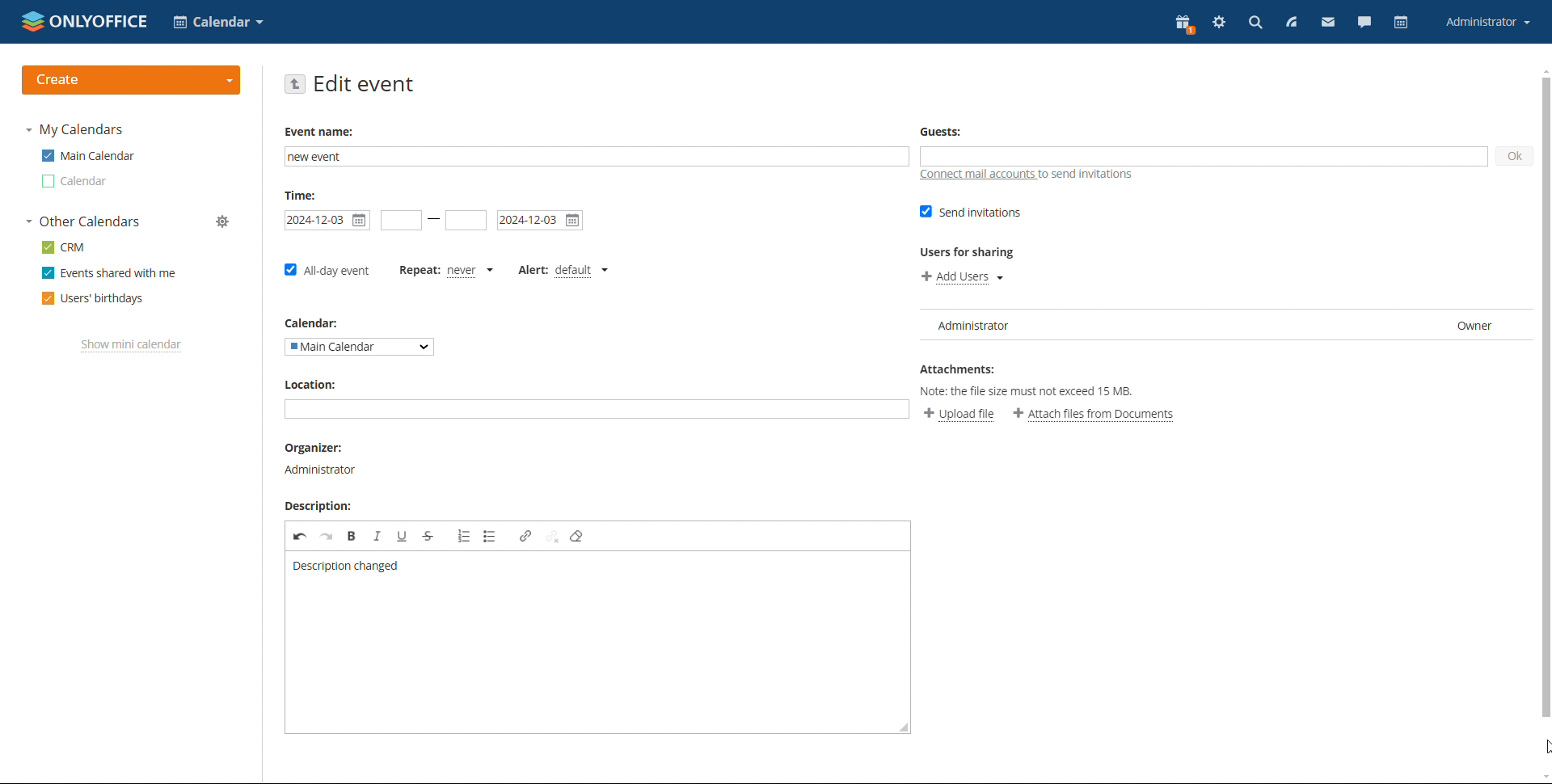 The width and height of the screenshot is (1552, 784). What do you see at coordinates (576, 537) in the screenshot?
I see `remove format` at bounding box center [576, 537].